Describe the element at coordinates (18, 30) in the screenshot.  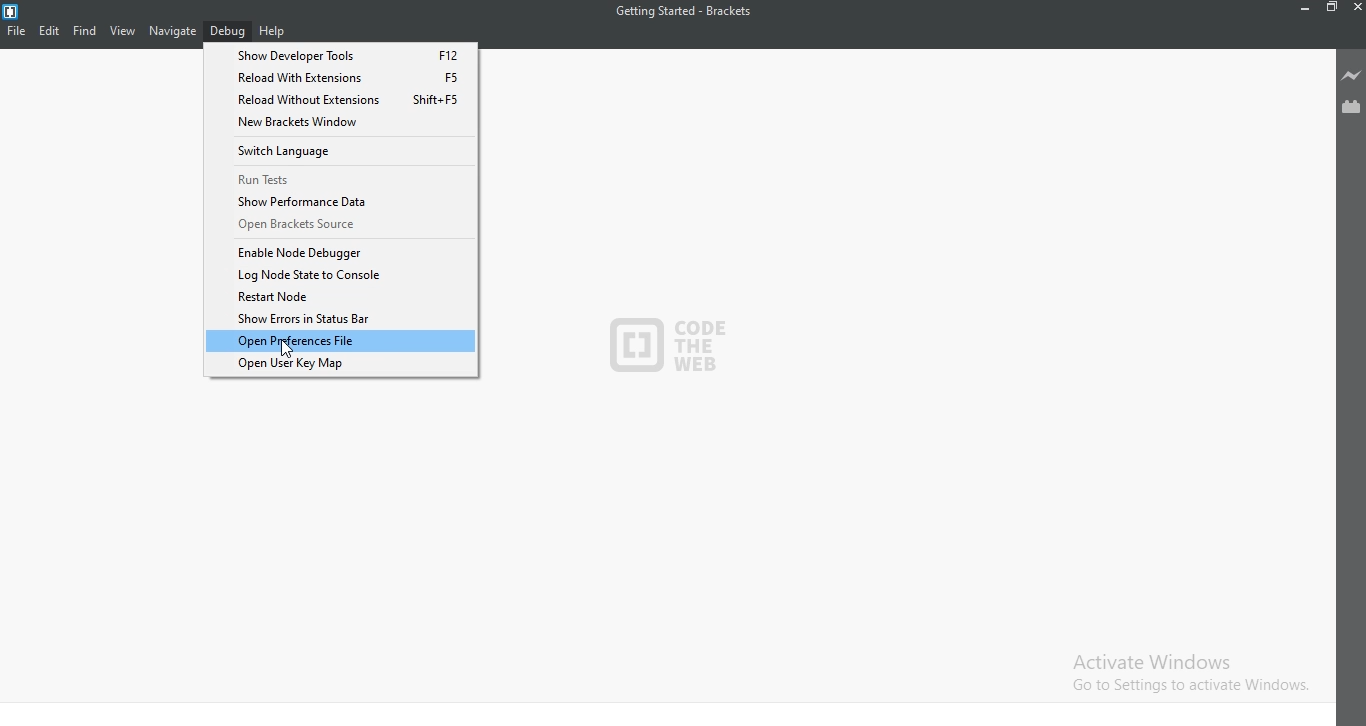
I see `File` at that location.